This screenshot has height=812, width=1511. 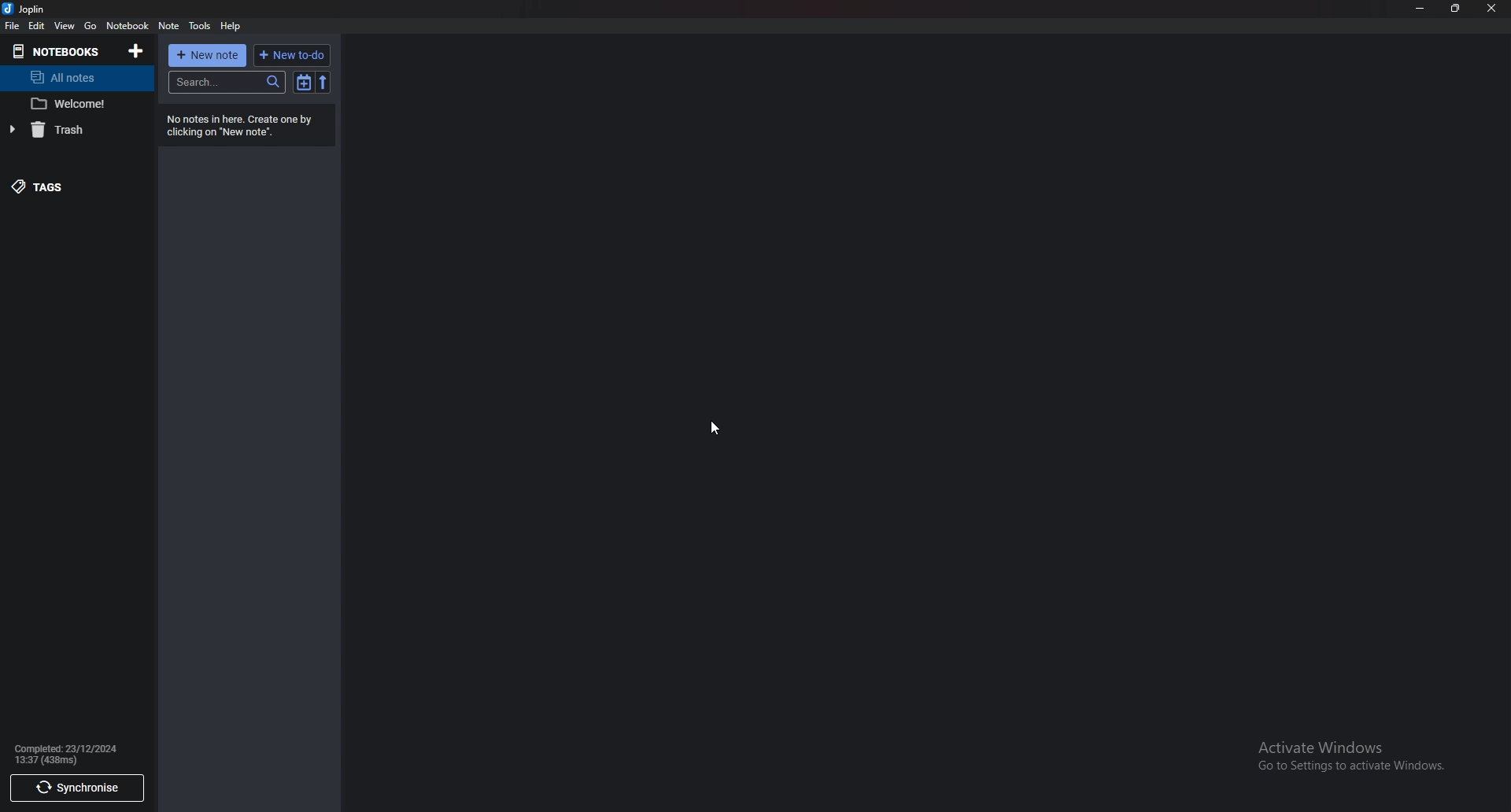 I want to click on close, so click(x=1491, y=9).